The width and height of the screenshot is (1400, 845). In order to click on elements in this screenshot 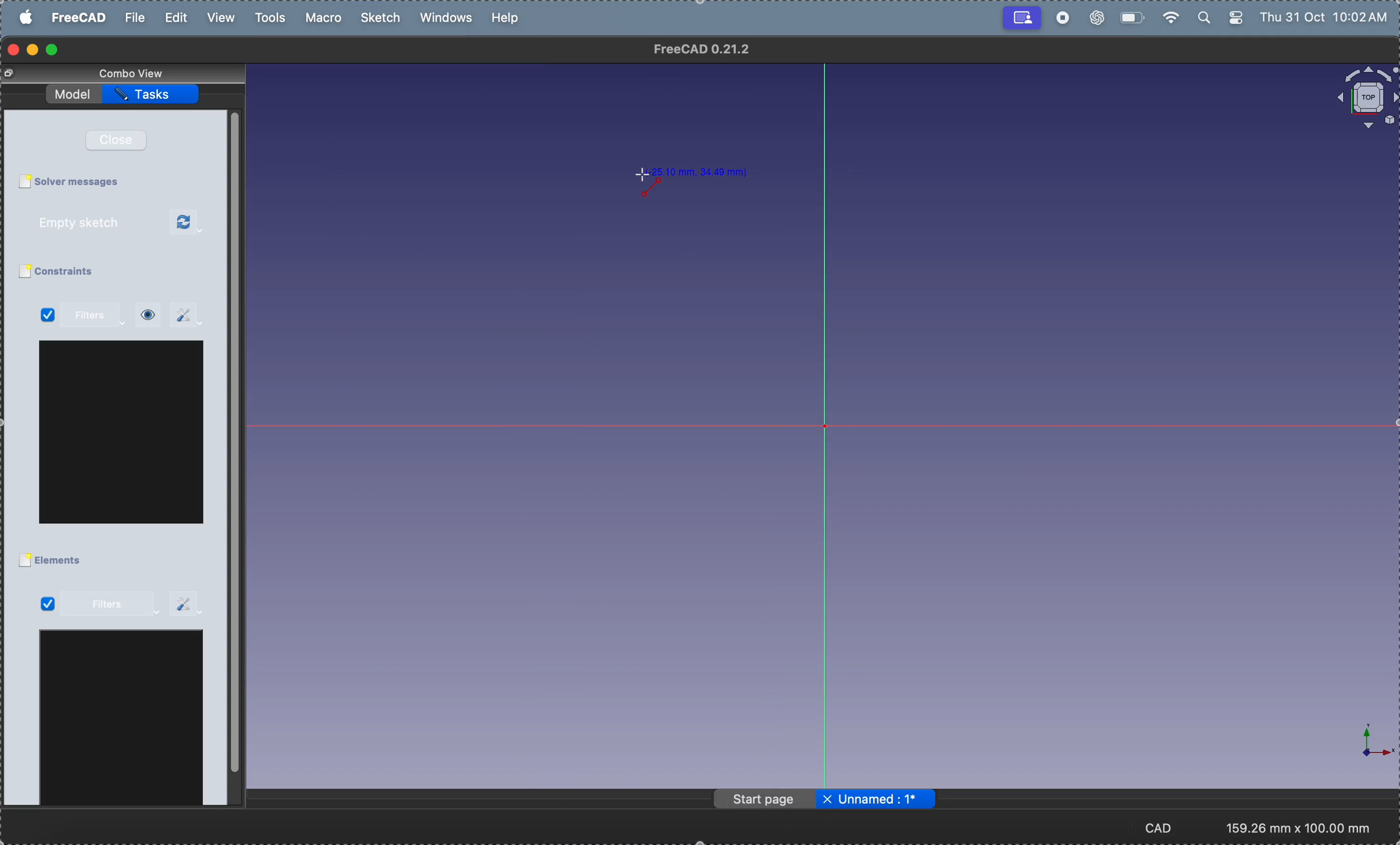, I will do `click(63, 561)`.